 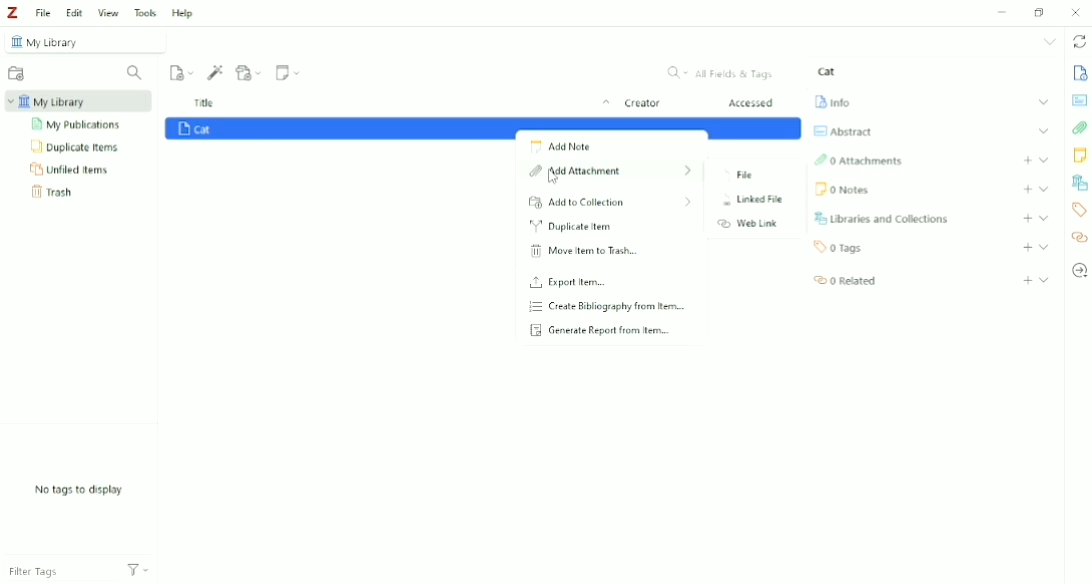 What do you see at coordinates (1042, 11) in the screenshot?
I see `Restore down` at bounding box center [1042, 11].